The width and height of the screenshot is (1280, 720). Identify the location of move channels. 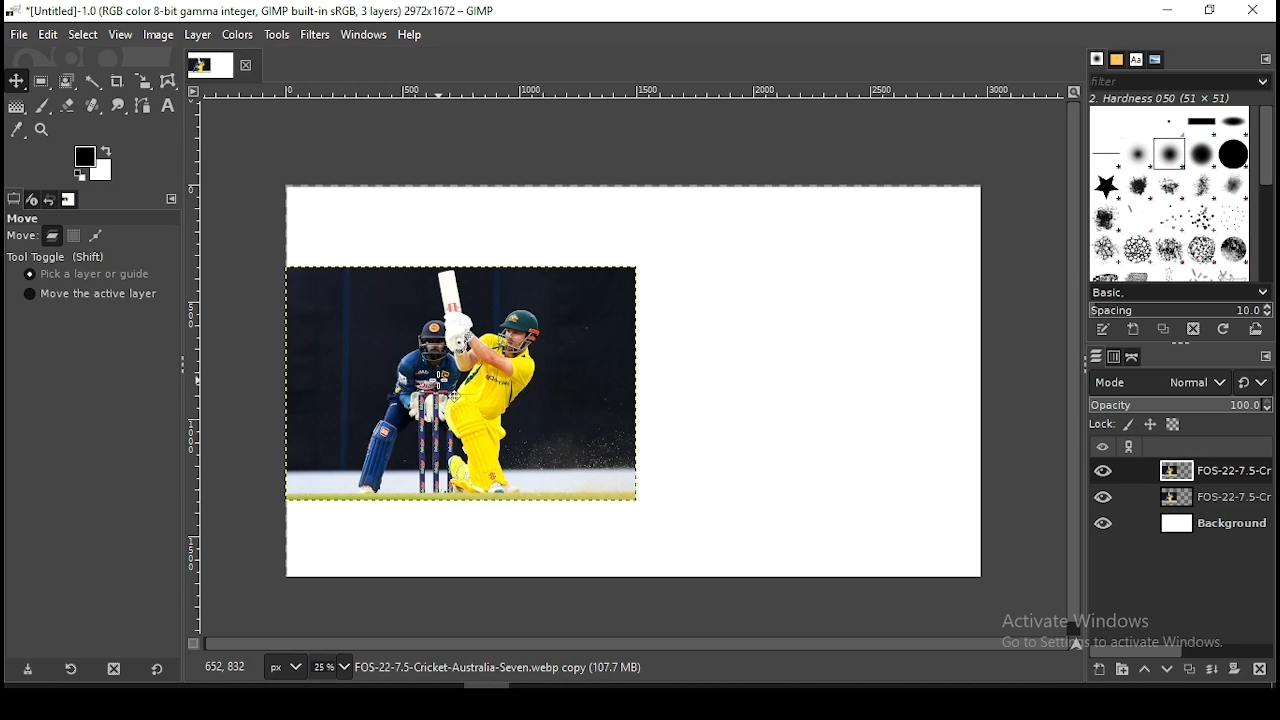
(73, 236).